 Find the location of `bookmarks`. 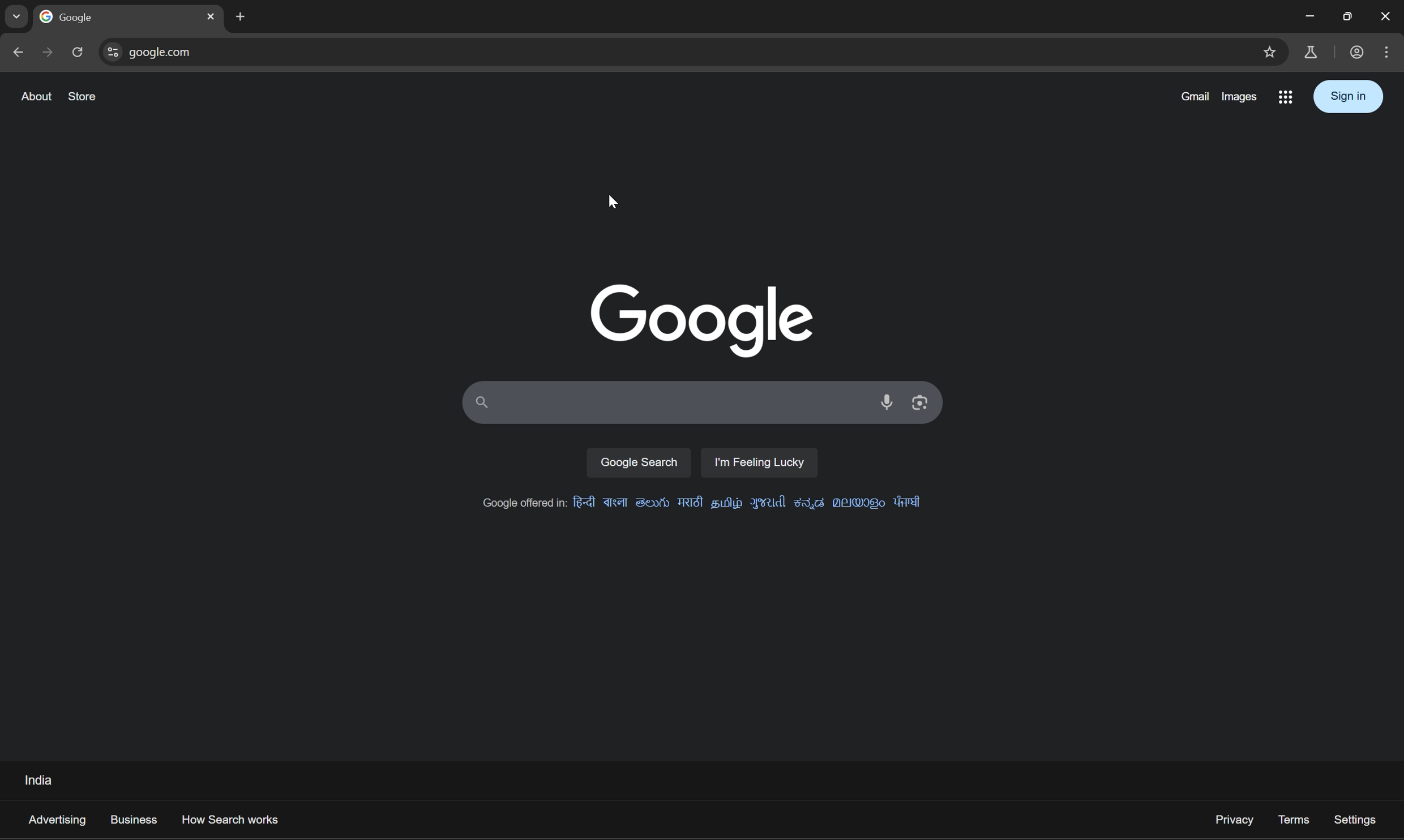

bookmarks is located at coordinates (1271, 52).